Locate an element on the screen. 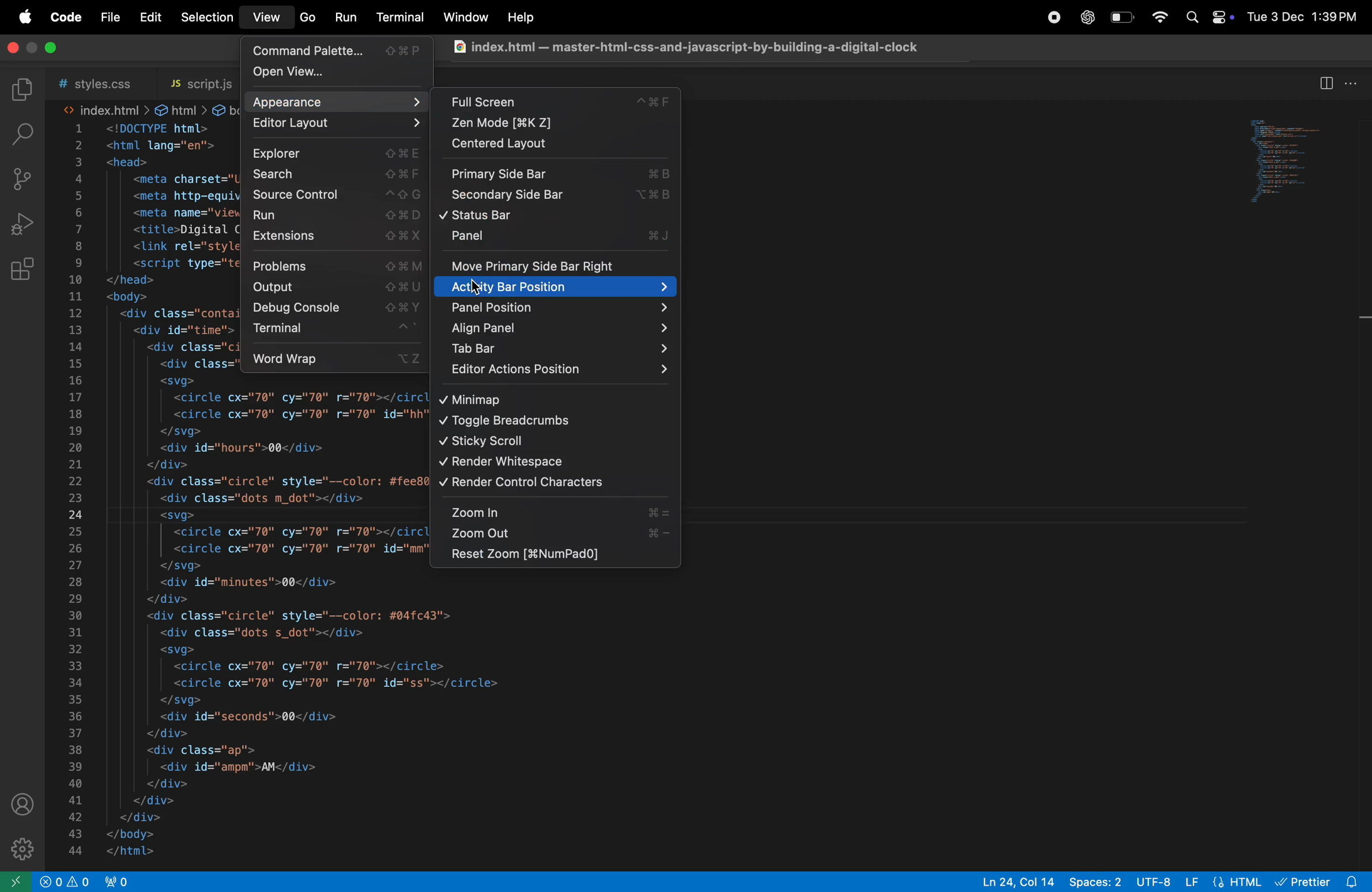 This screenshot has width=1372, height=892. no ports opned is located at coordinates (101, 882).